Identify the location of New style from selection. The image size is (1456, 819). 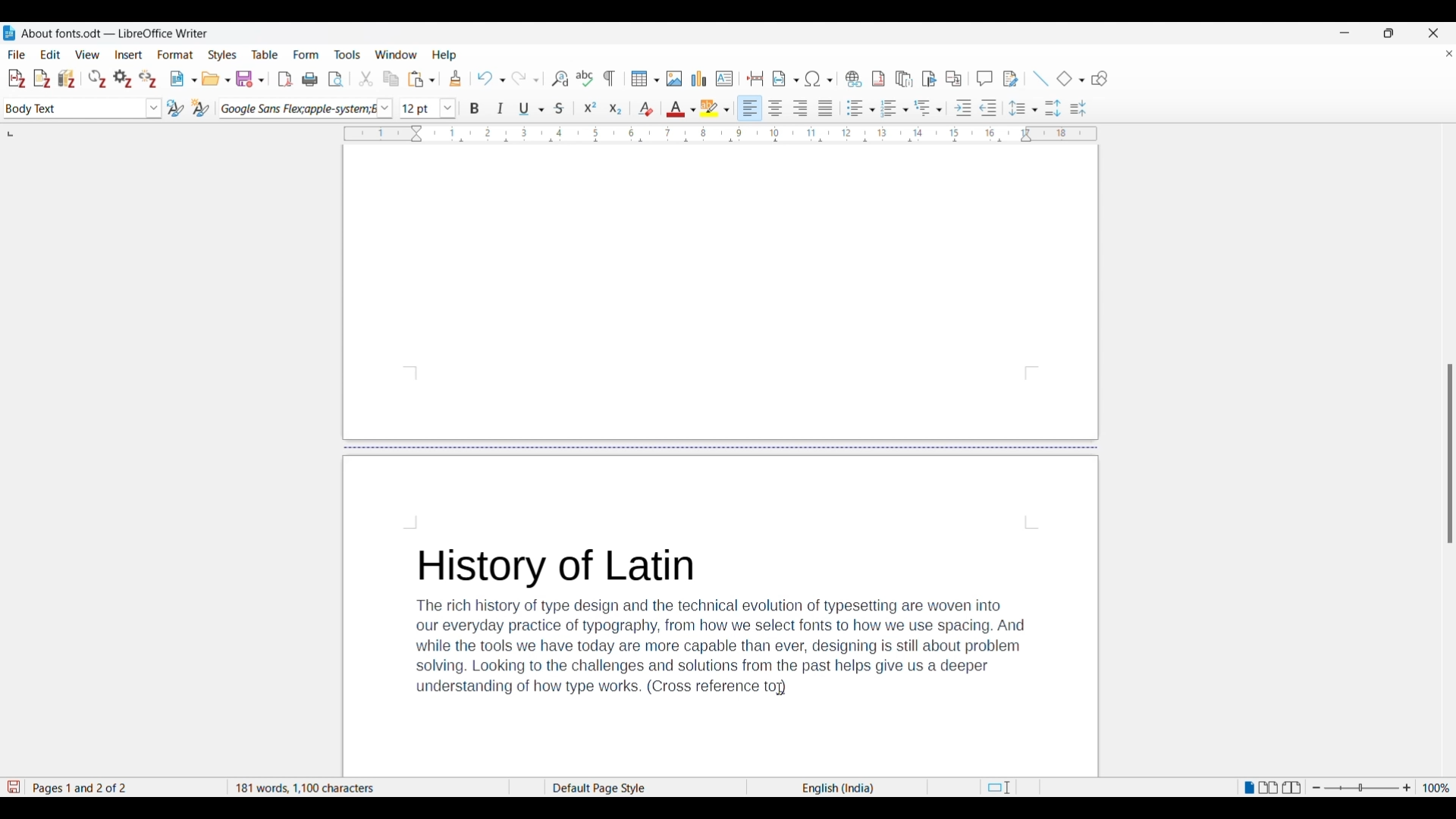
(201, 108).